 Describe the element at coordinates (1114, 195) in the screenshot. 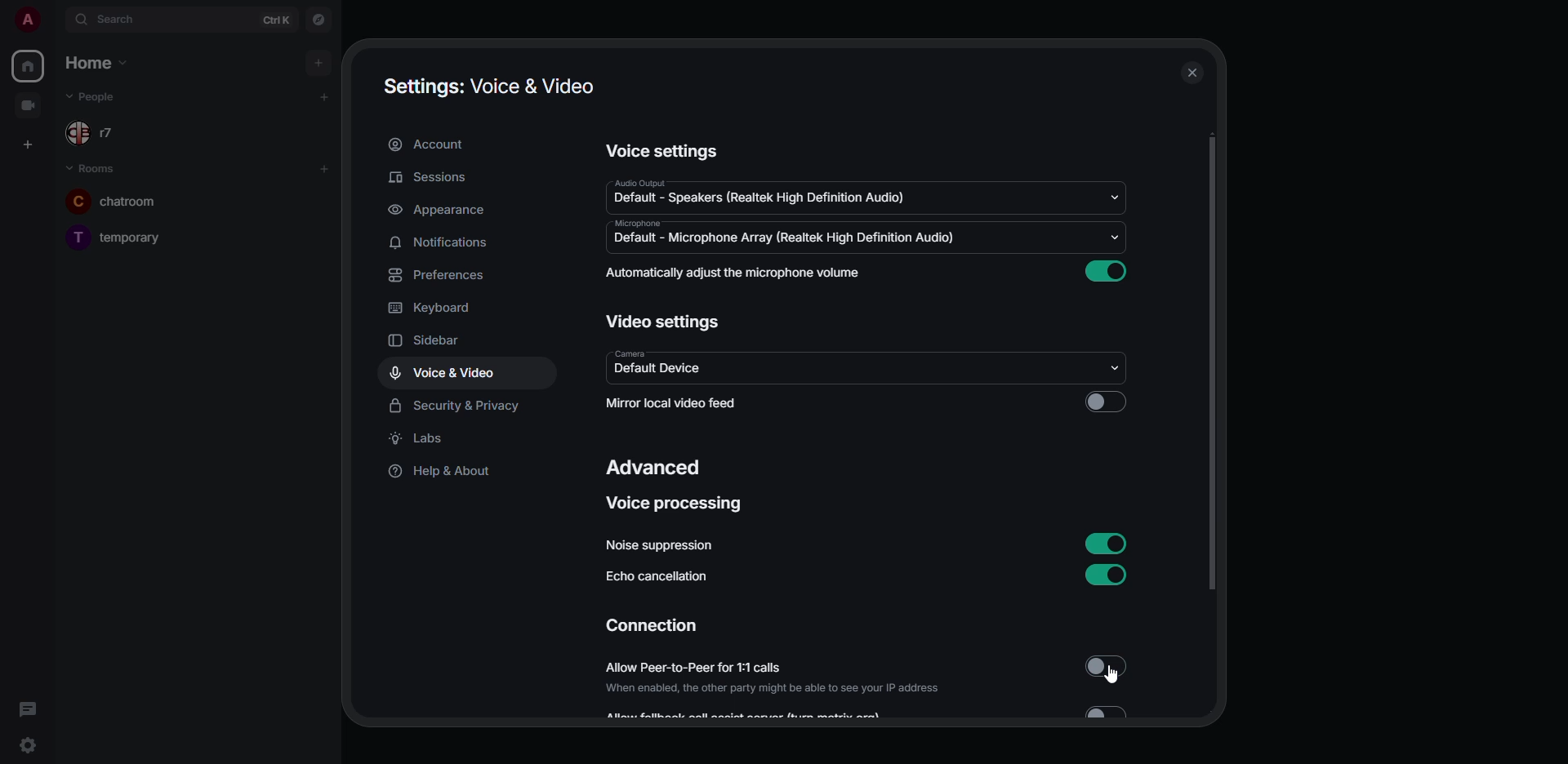

I see `drop down` at that location.